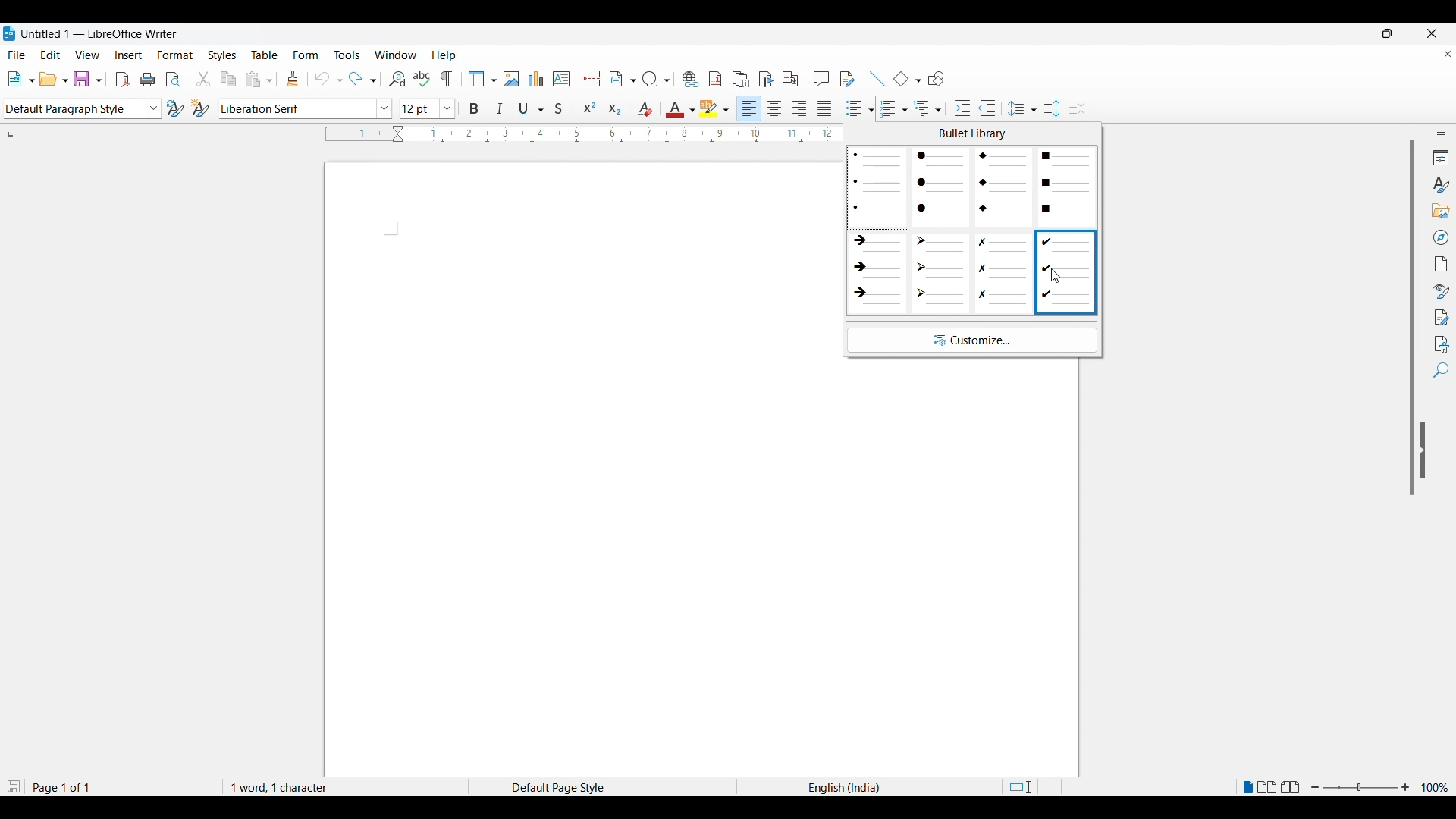 Image resolution: width=1456 pixels, height=819 pixels. What do you see at coordinates (822, 78) in the screenshot?
I see `comment` at bounding box center [822, 78].